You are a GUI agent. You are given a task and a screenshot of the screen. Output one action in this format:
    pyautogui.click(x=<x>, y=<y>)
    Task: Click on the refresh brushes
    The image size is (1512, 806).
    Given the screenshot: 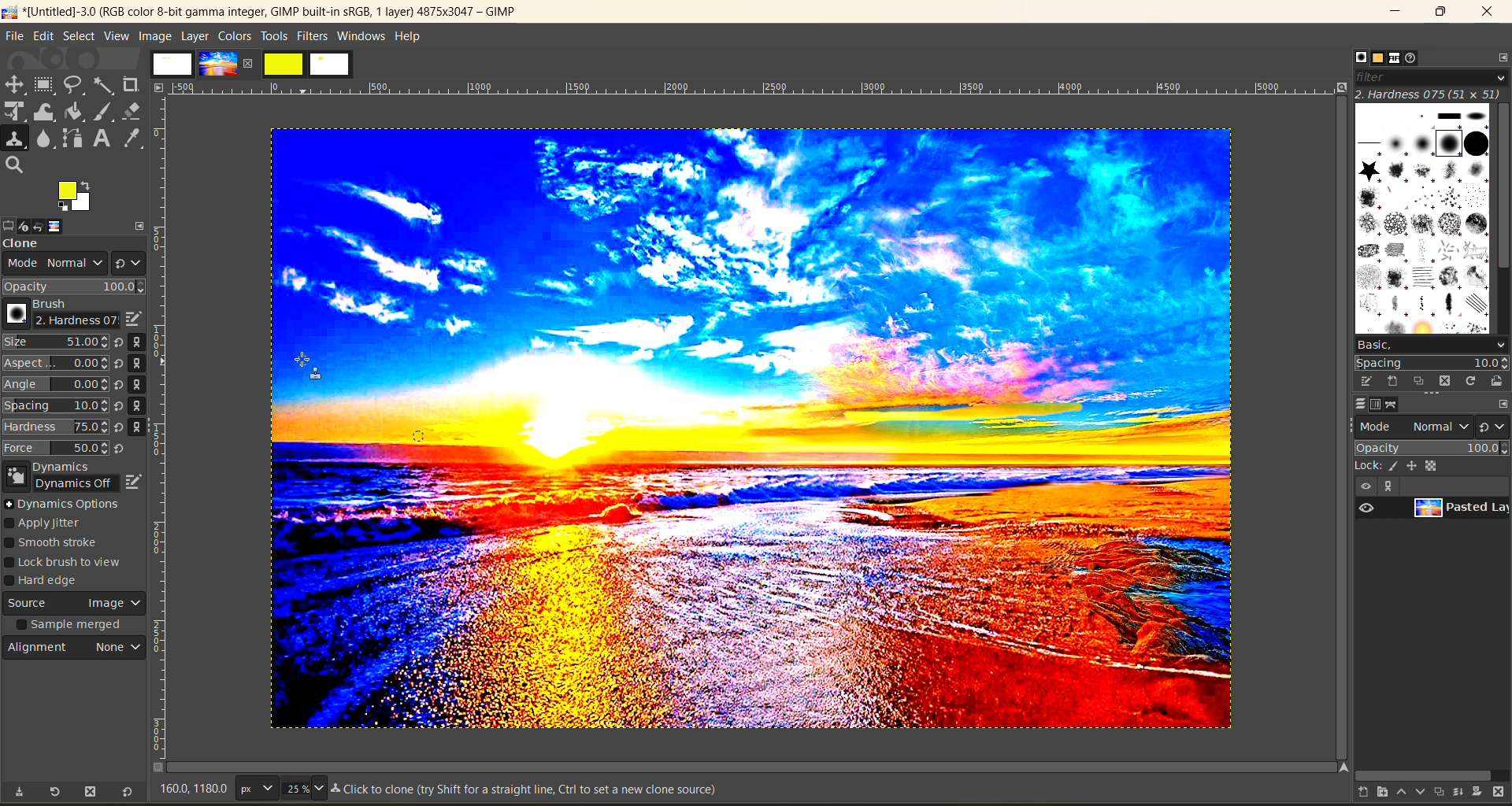 What is the action you would take?
    pyautogui.click(x=1470, y=381)
    